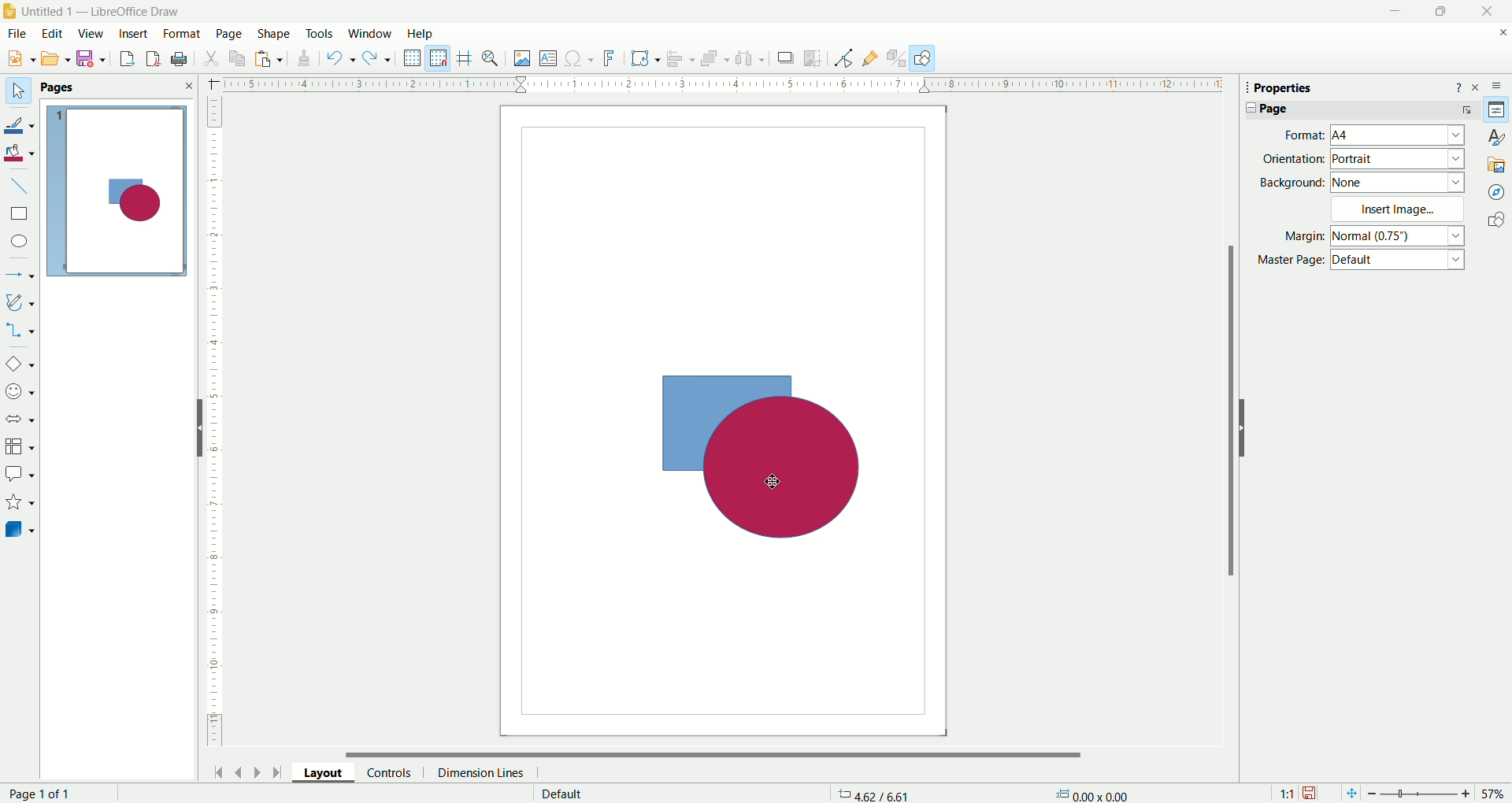 The image size is (1512, 803). I want to click on clone formatting, so click(304, 61).